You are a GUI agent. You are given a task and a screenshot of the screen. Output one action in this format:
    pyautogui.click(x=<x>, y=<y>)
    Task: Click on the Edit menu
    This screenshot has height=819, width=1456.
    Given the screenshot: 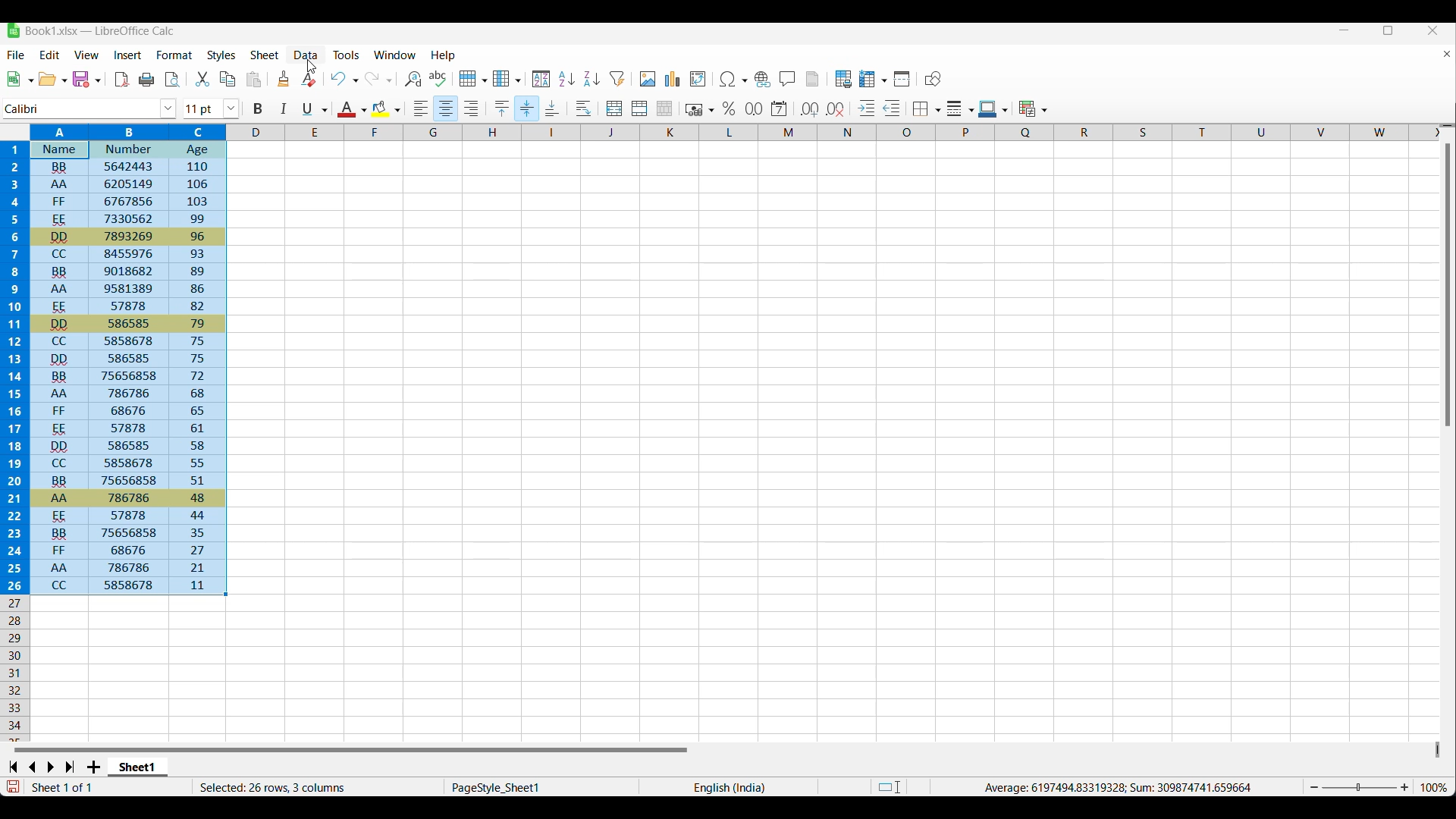 What is the action you would take?
    pyautogui.click(x=50, y=55)
    